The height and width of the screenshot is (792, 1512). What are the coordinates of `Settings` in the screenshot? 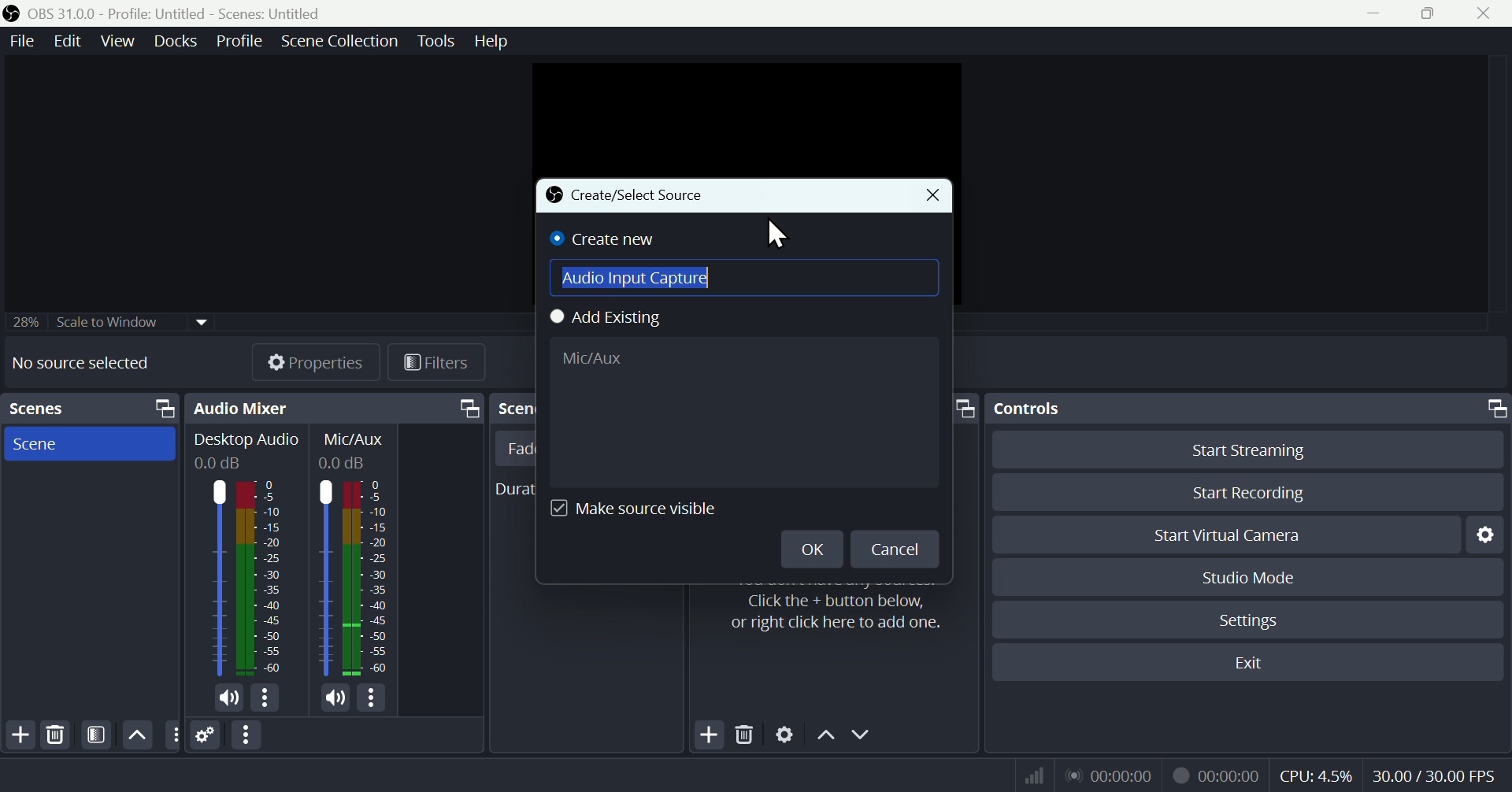 It's located at (785, 737).